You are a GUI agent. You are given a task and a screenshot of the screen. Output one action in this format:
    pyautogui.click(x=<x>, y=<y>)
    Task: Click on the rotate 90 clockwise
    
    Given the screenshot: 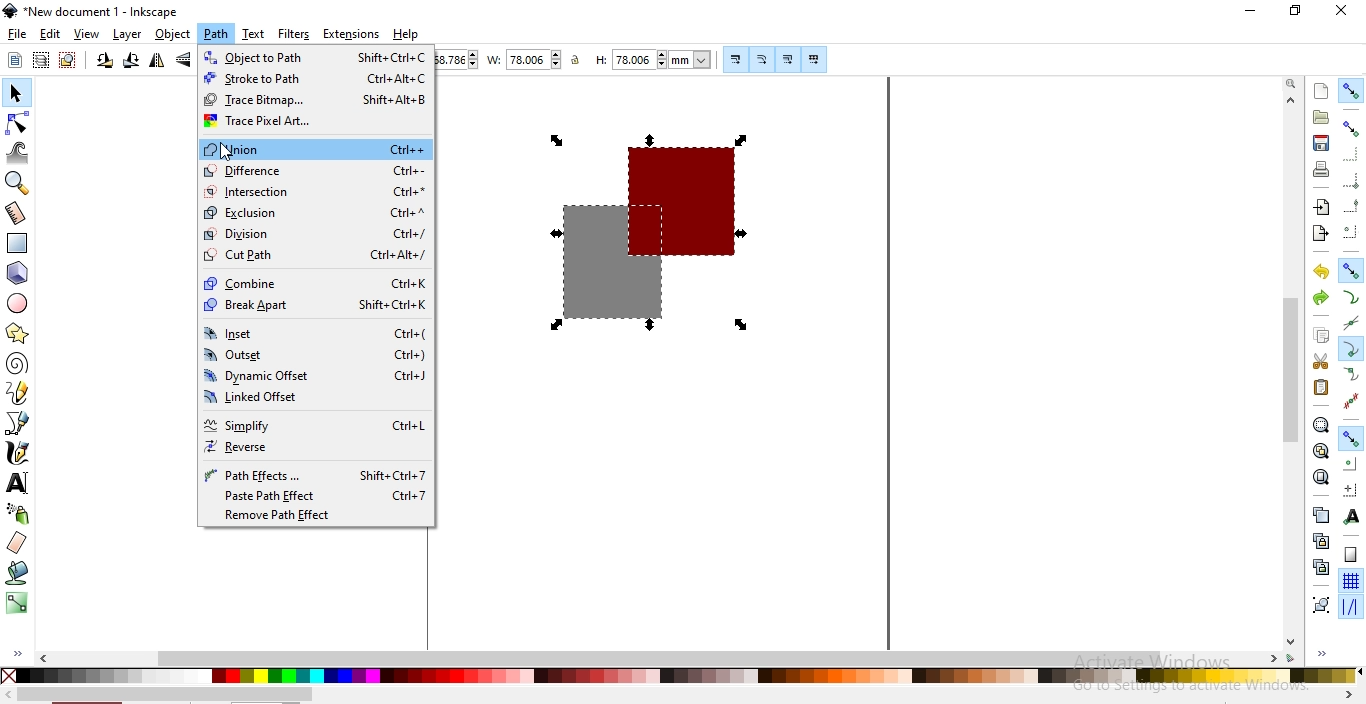 What is the action you would take?
    pyautogui.click(x=129, y=62)
    